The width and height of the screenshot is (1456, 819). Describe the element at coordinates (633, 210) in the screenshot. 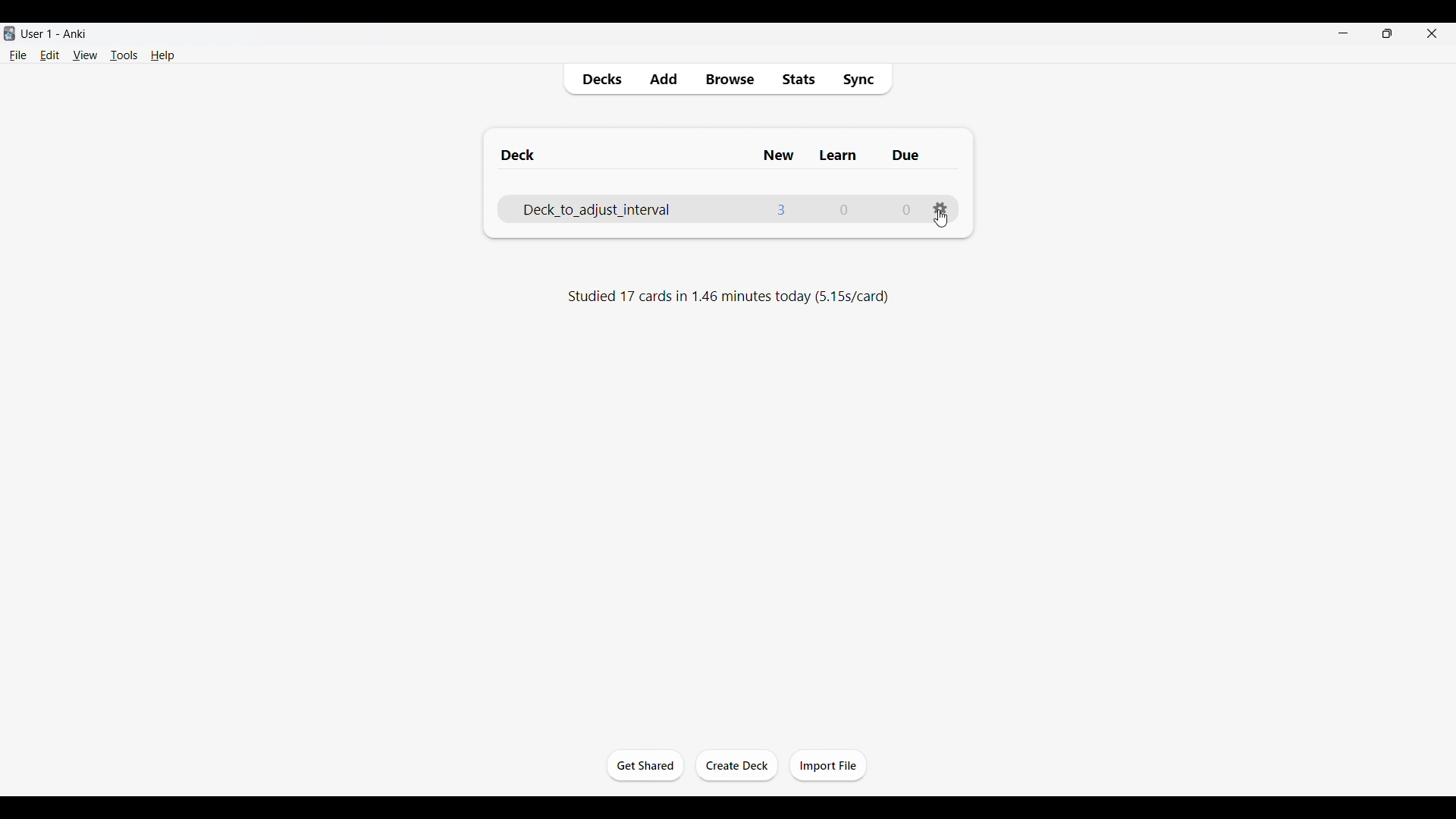

I see `Deck name` at that location.